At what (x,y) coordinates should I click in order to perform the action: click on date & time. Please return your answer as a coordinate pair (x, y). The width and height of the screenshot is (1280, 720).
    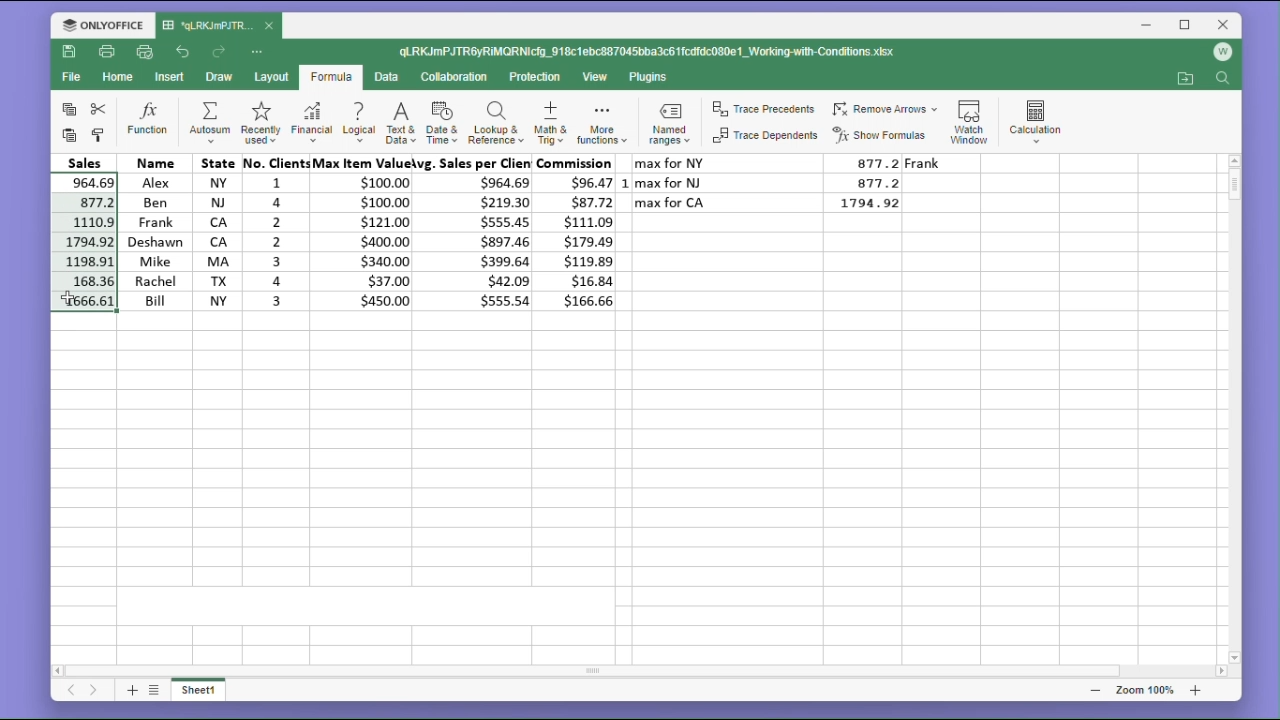
    Looking at the image, I should click on (443, 124).